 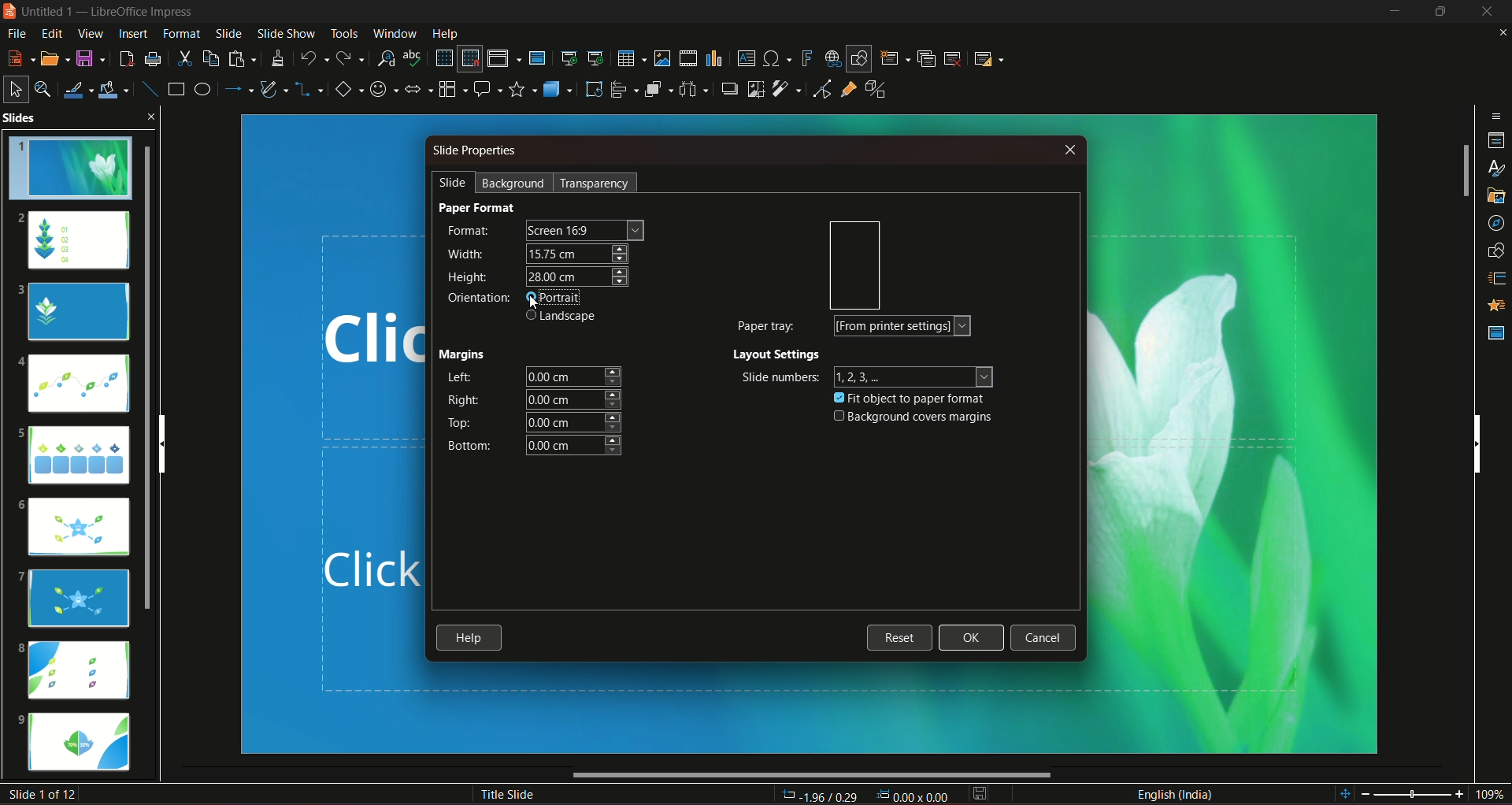 I want to click on paper format, so click(x=479, y=207).